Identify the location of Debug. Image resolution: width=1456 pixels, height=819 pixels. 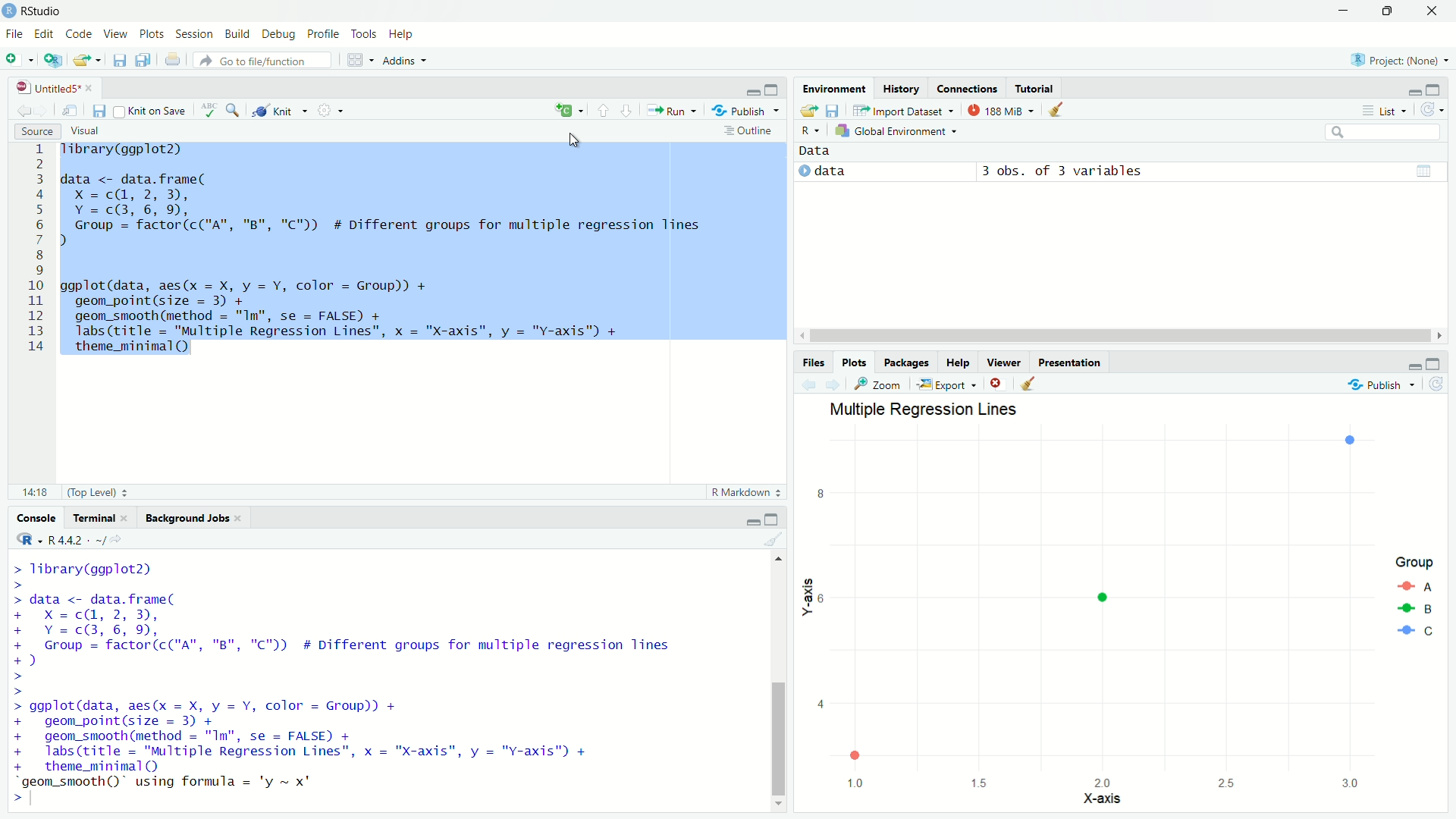
(278, 35).